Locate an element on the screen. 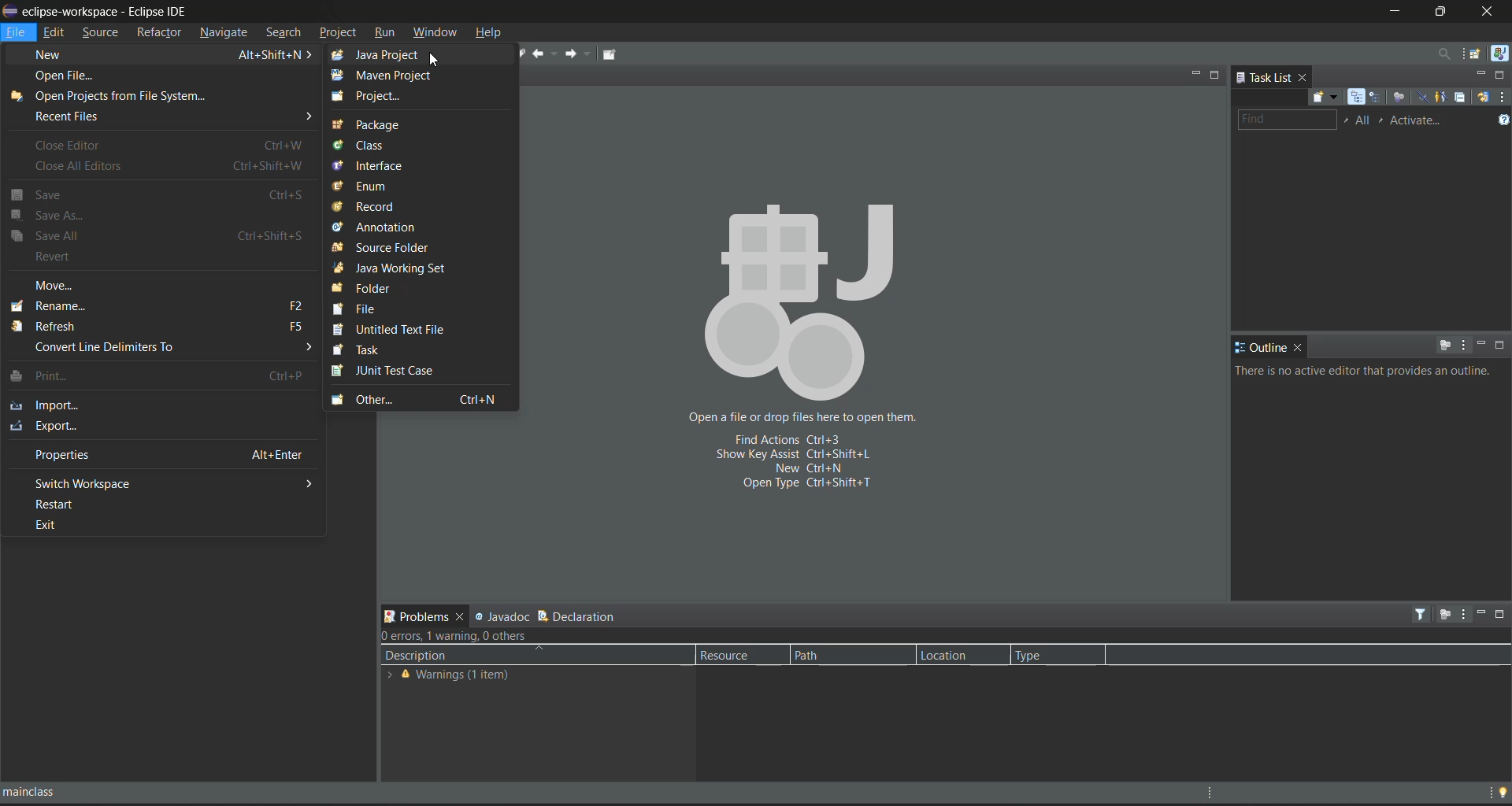 The image size is (1512, 806). exit is located at coordinates (74, 525).